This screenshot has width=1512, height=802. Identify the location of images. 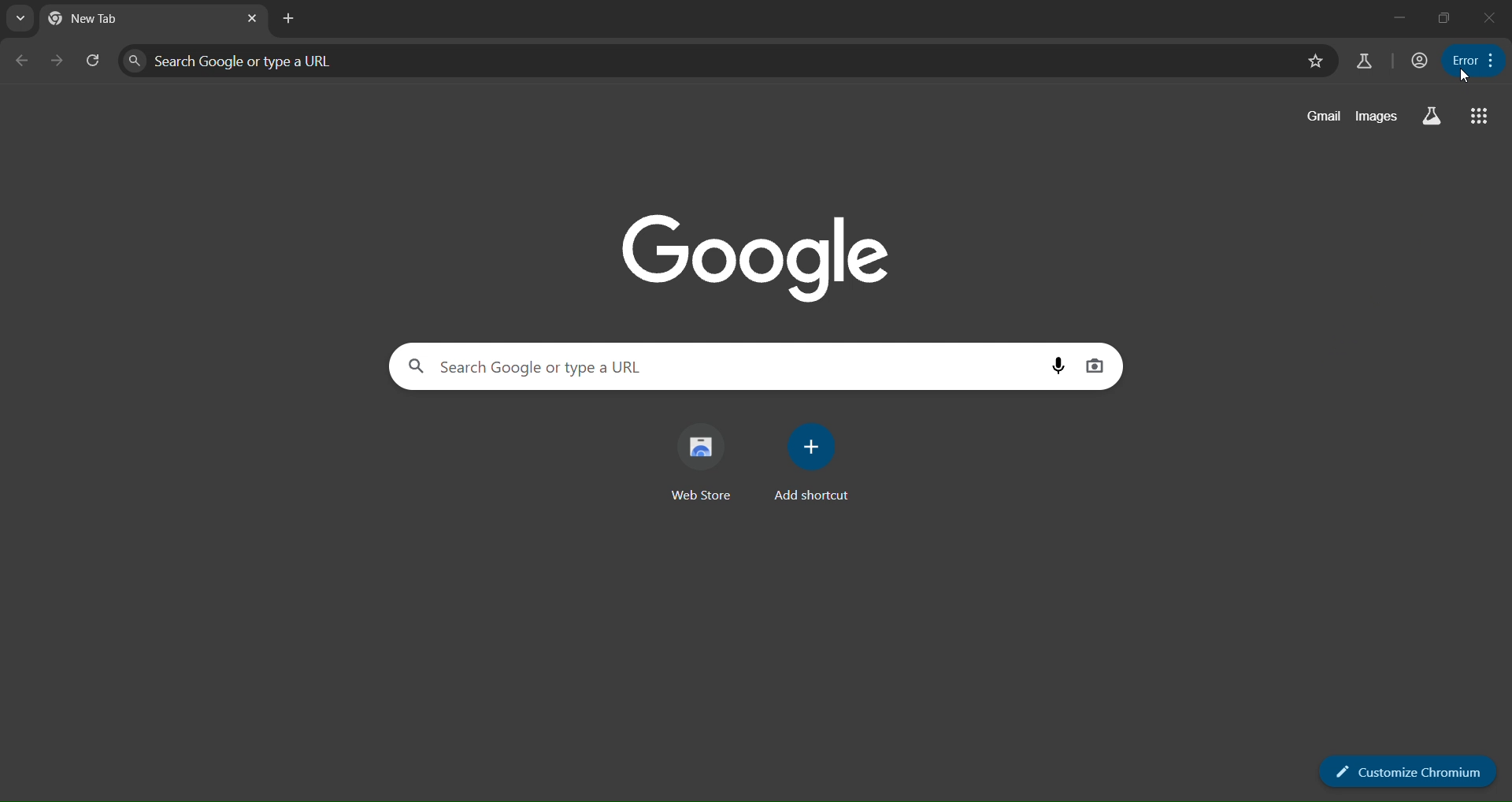
(1378, 119).